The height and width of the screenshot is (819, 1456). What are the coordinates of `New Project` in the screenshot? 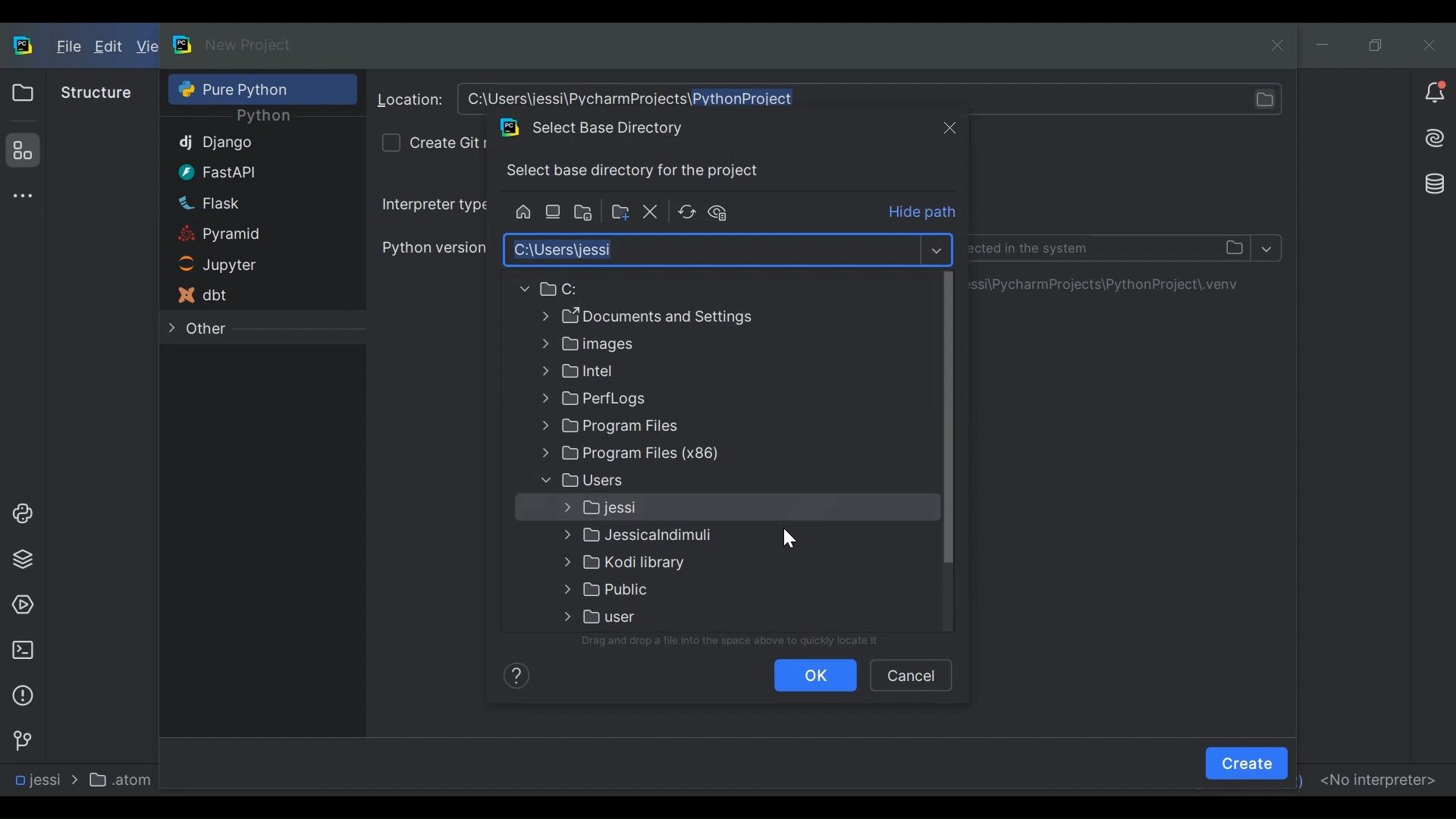 It's located at (249, 45).